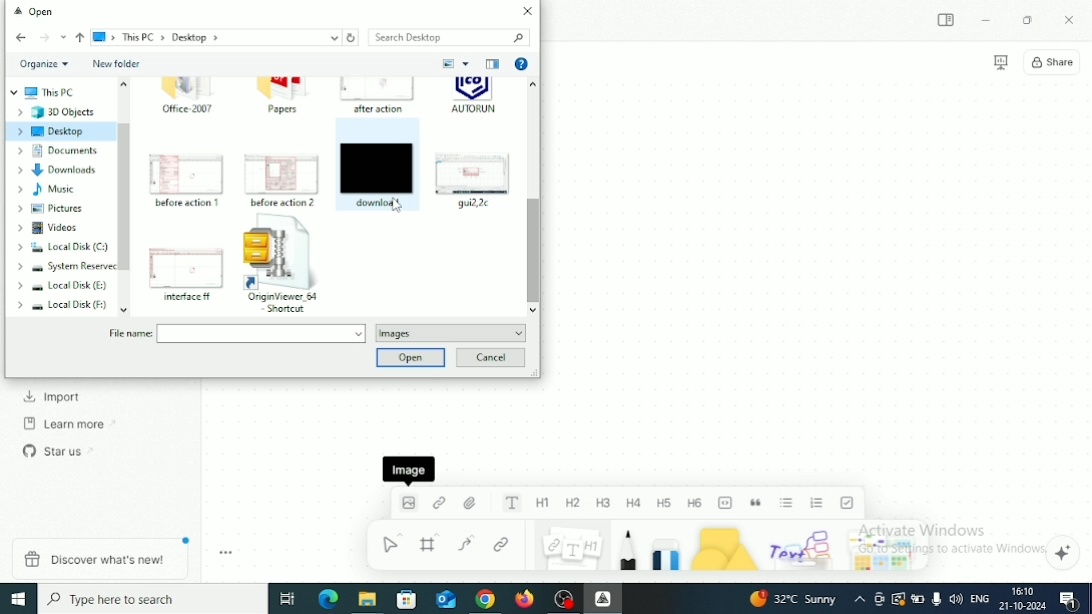 The image size is (1092, 614). What do you see at coordinates (284, 178) in the screenshot?
I see `before action 2` at bounding box center [284, 178].